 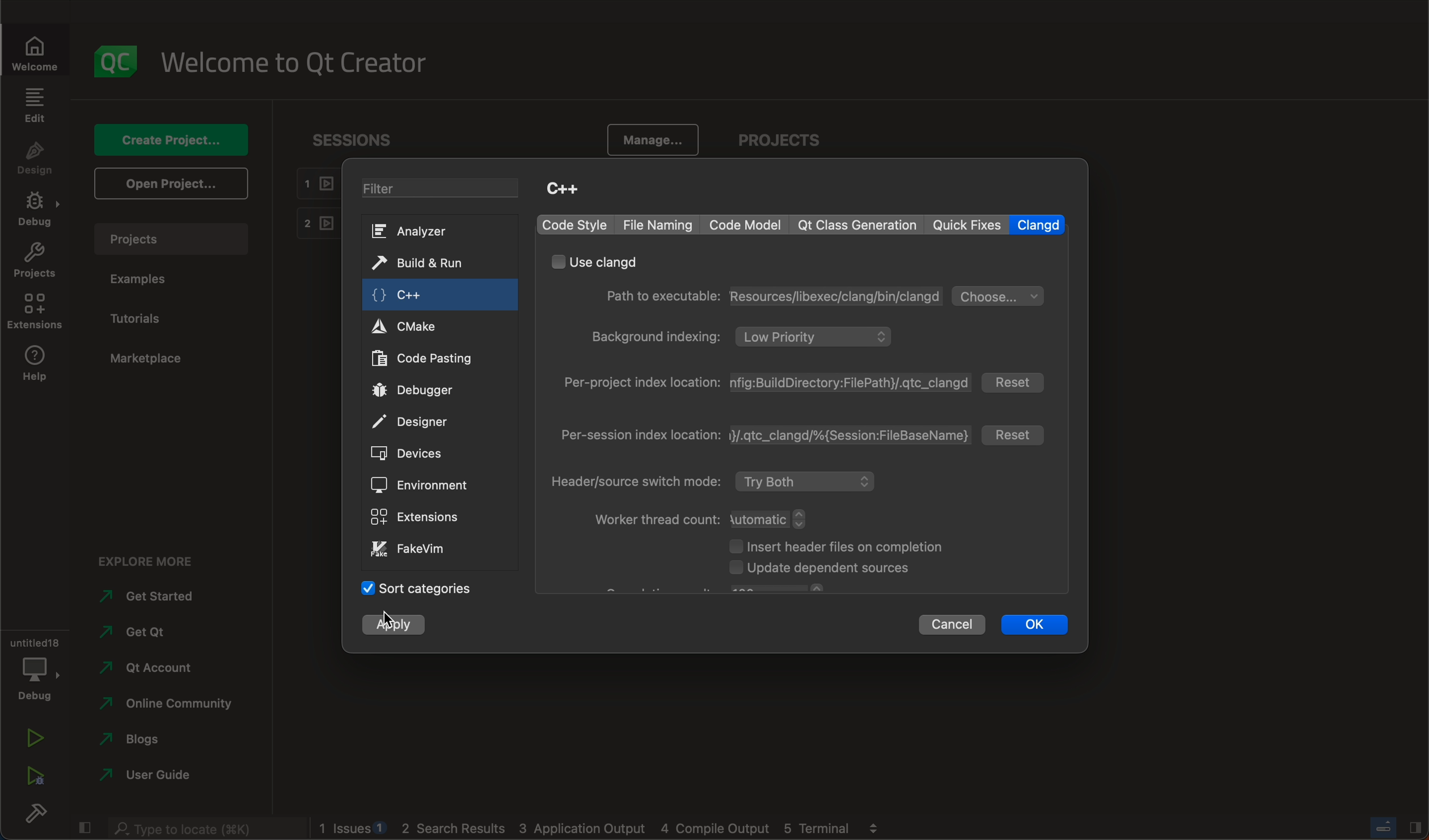 What do you see at coordinates (746, 337) in the screenshot?
I see `background indexing` at bounding box center [746, 337].